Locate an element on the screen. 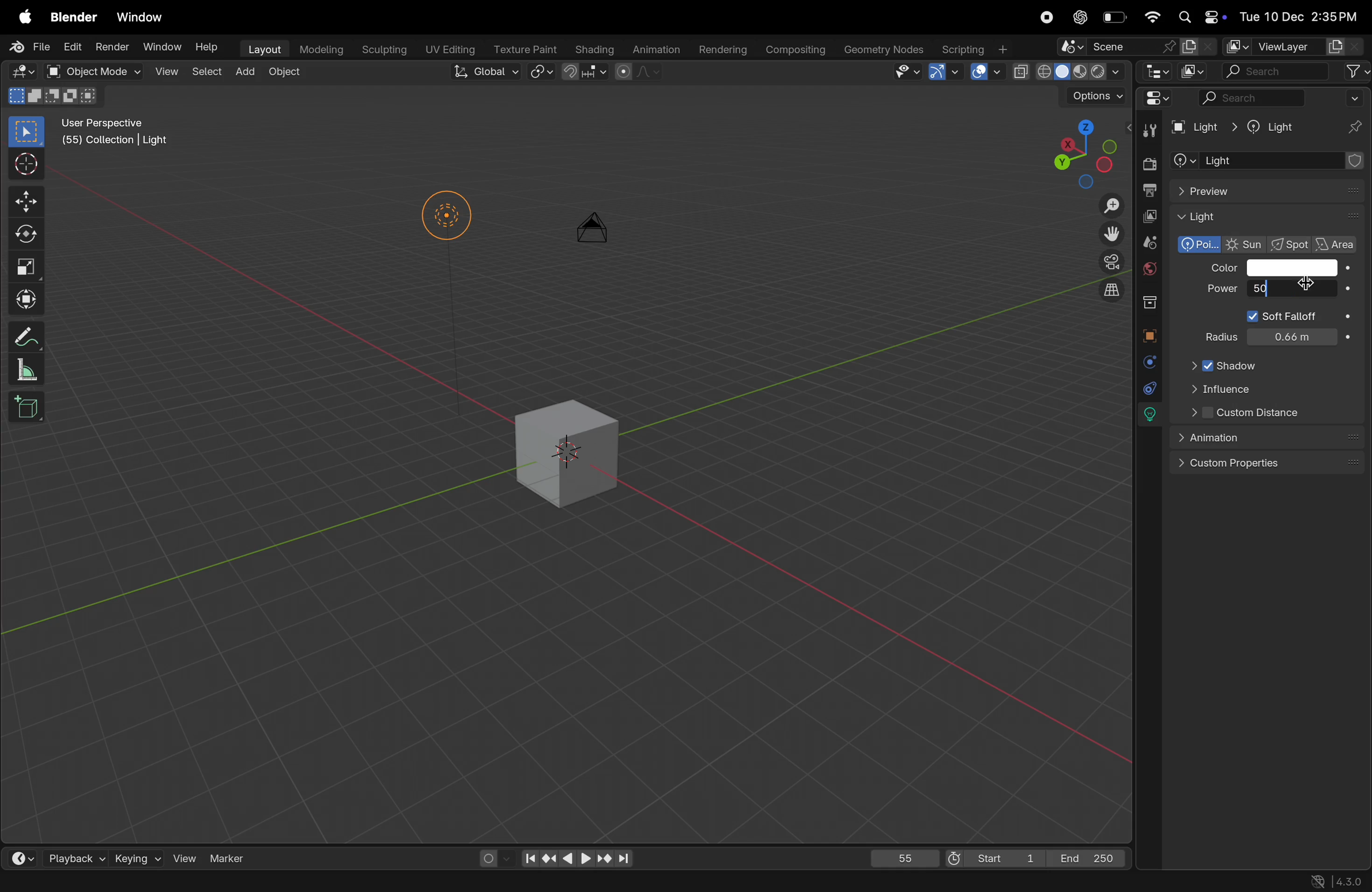 This screenshot has height=892, width=1372. Global is located at coordinates (485, 74).